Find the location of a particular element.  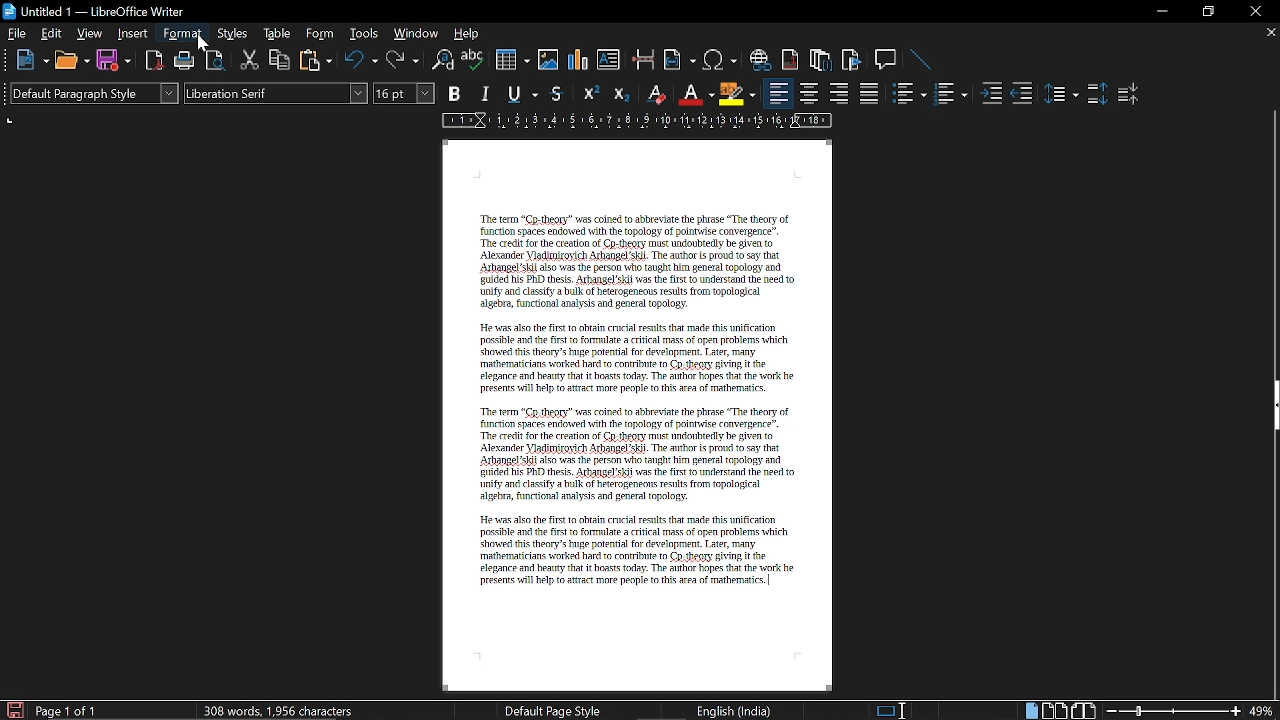

Insert footnote is located at coordinates (822, 61).